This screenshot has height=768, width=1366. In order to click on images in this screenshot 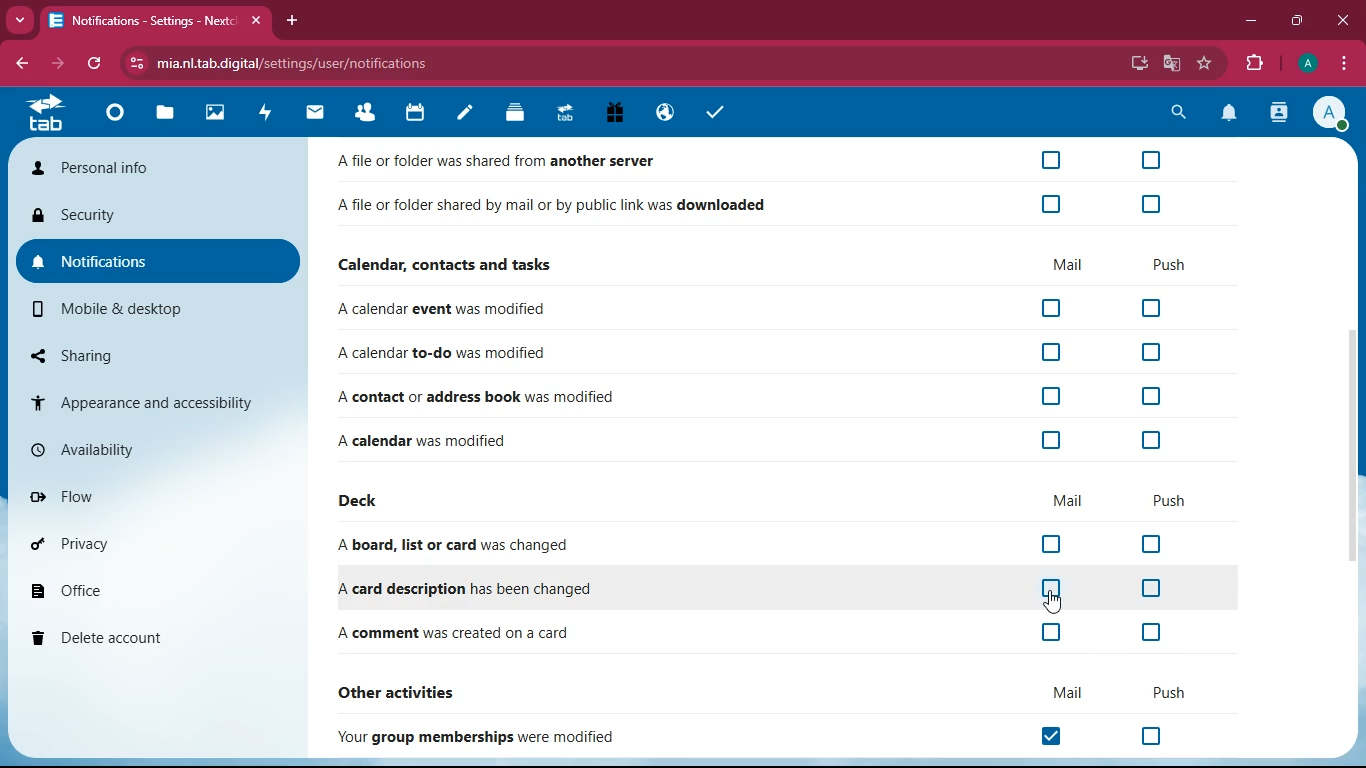, I will do `click(213, 114)`.